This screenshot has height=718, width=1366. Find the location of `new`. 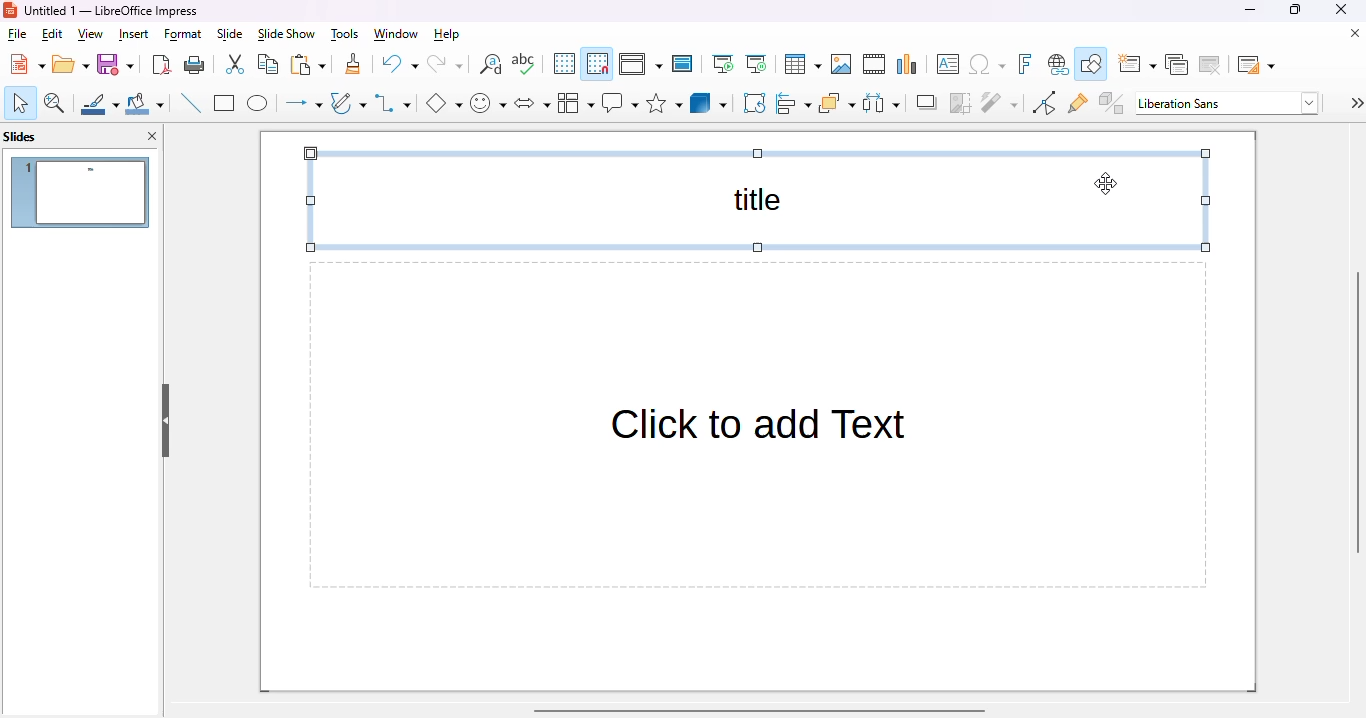

new is located at coordinates (27, 64).